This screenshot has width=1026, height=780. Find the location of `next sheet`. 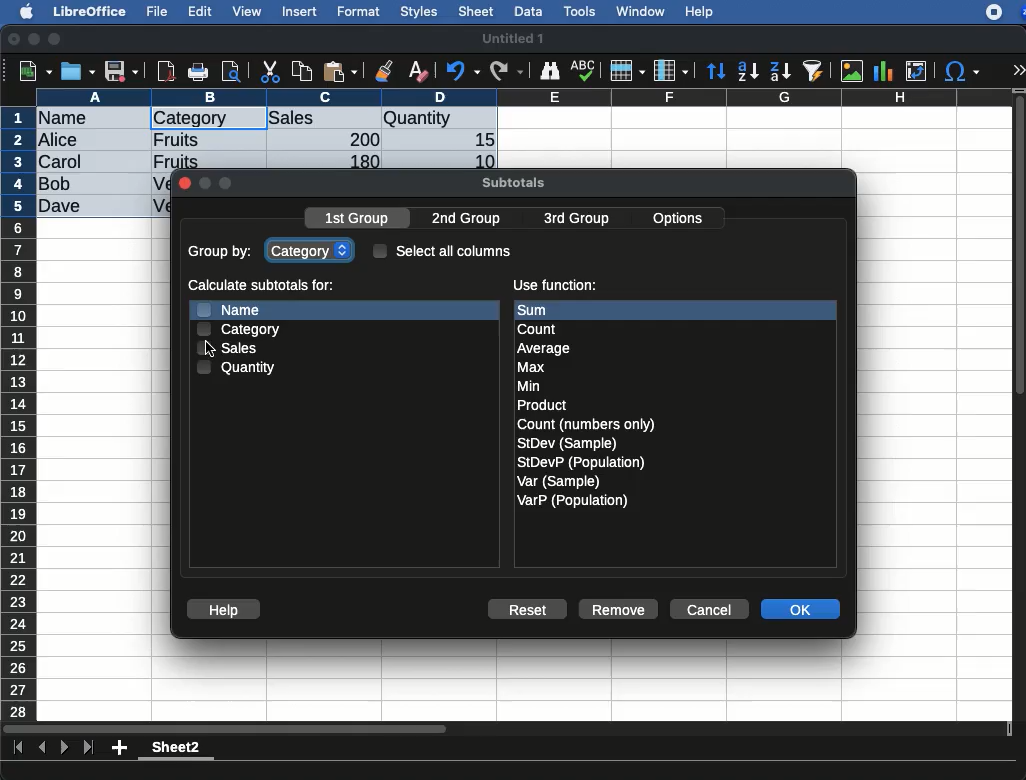

next sheet is located at coordinates (62, 749).